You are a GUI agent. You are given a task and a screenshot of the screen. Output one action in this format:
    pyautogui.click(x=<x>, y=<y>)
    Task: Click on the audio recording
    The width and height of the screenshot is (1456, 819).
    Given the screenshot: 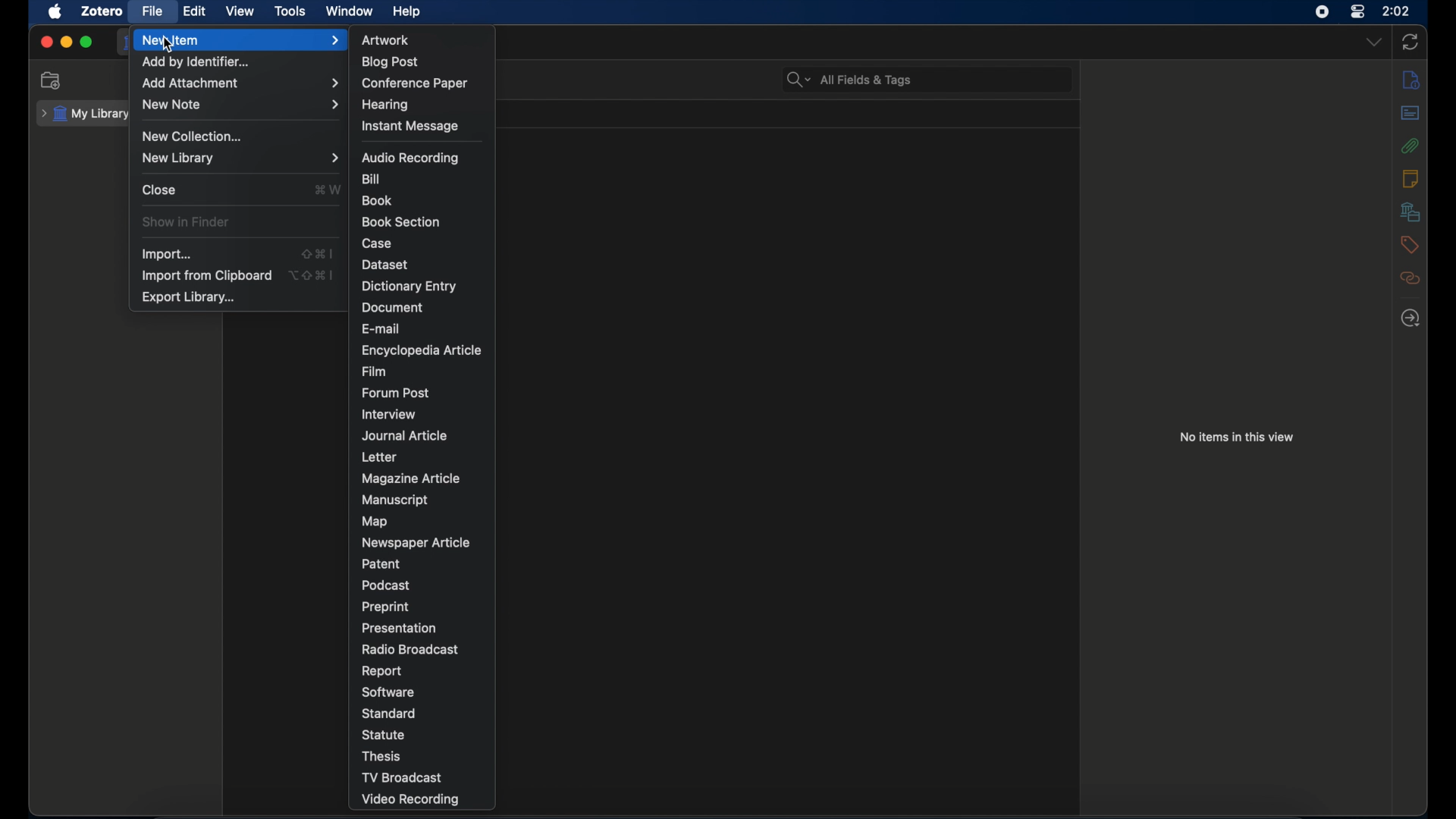 What is the action you would take?
    pyautogui.click(x=413, y=158)
    